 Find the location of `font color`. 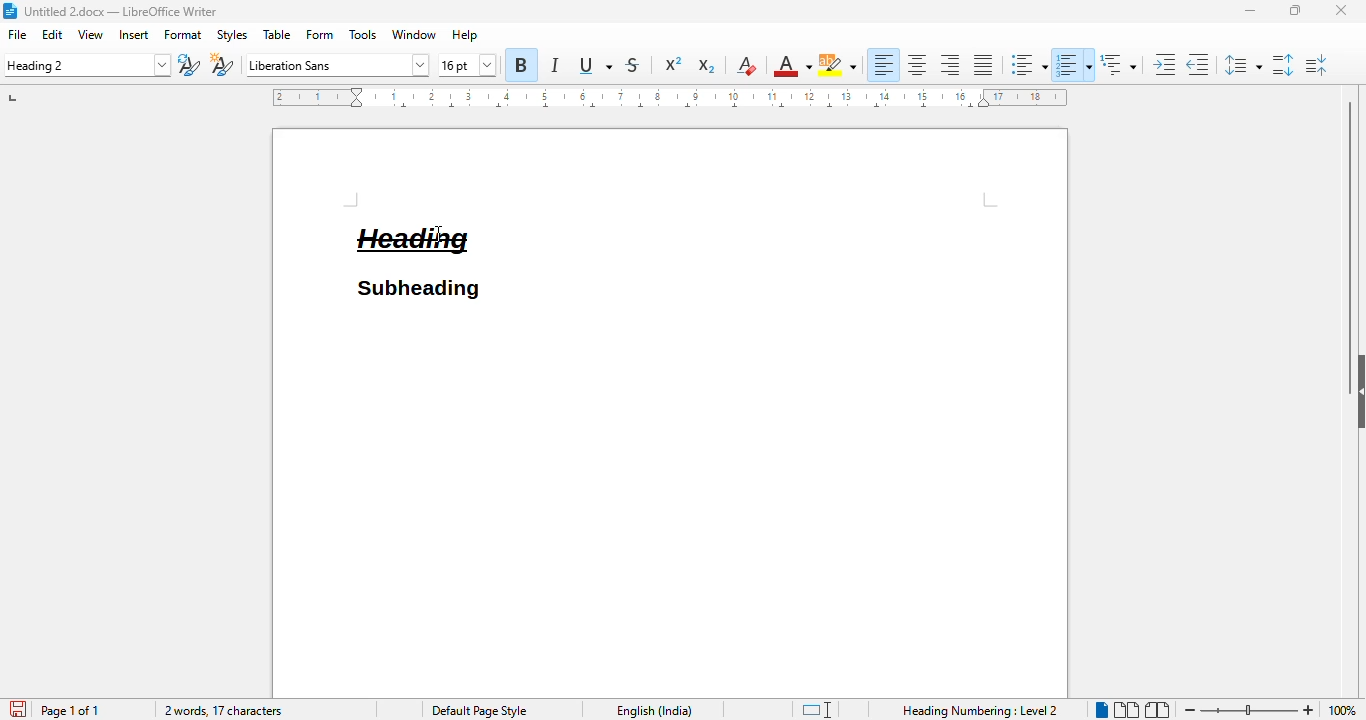

font color is located at coordinates (791, 66).